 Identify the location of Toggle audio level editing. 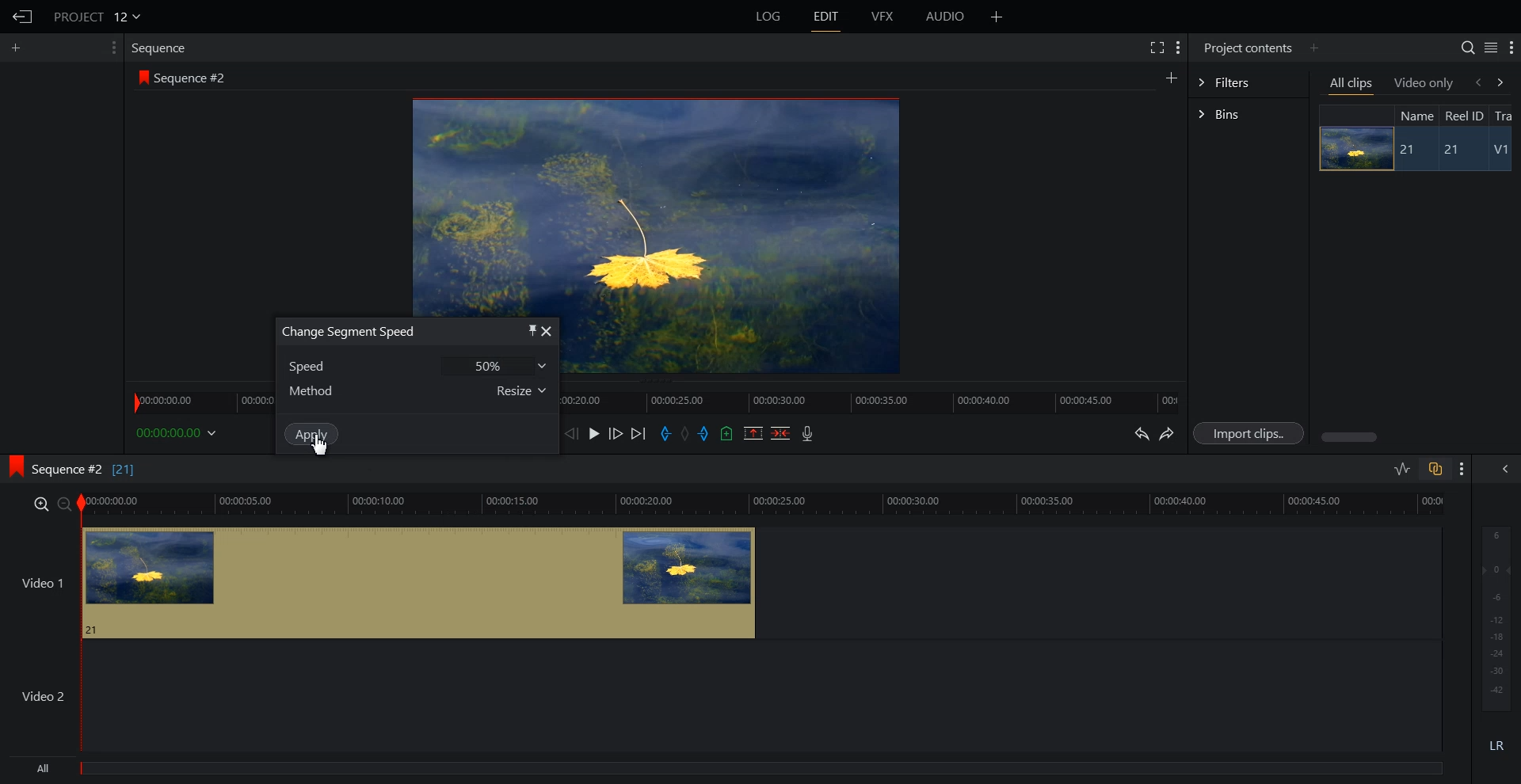
(1402, 468).